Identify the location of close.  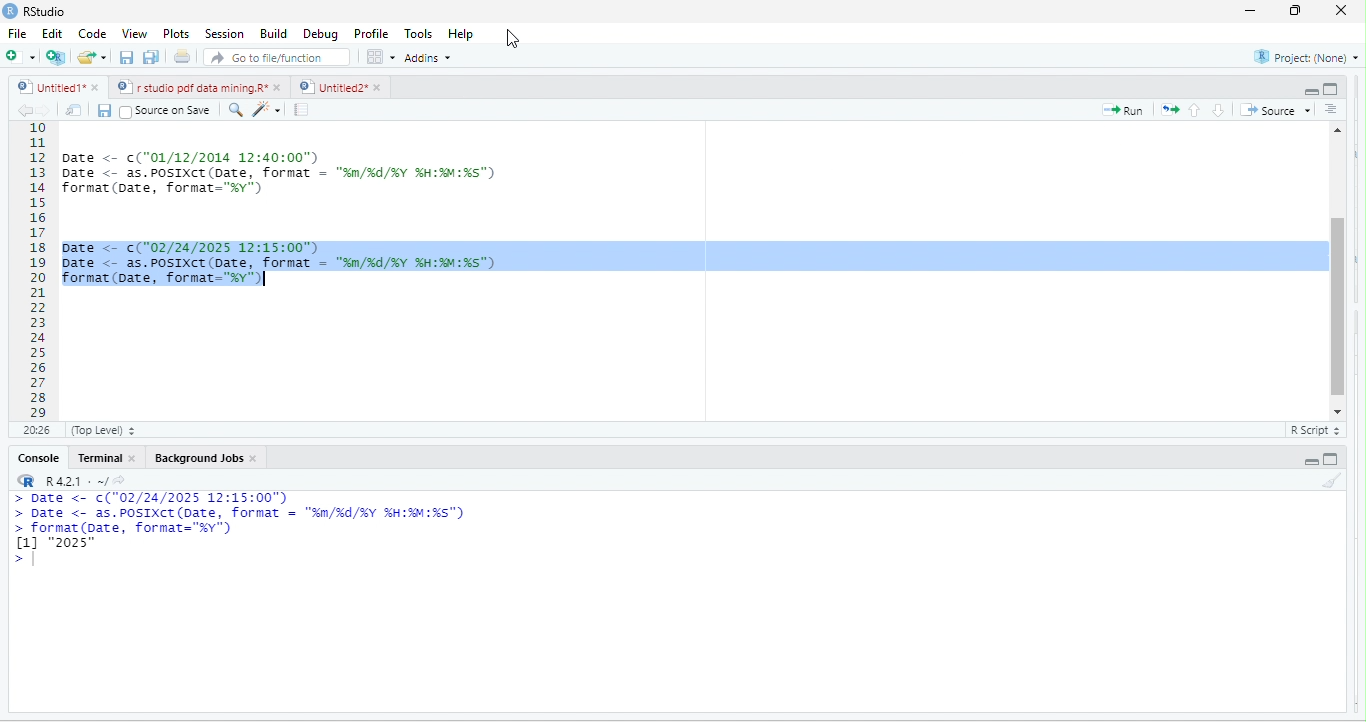
(380, 88).